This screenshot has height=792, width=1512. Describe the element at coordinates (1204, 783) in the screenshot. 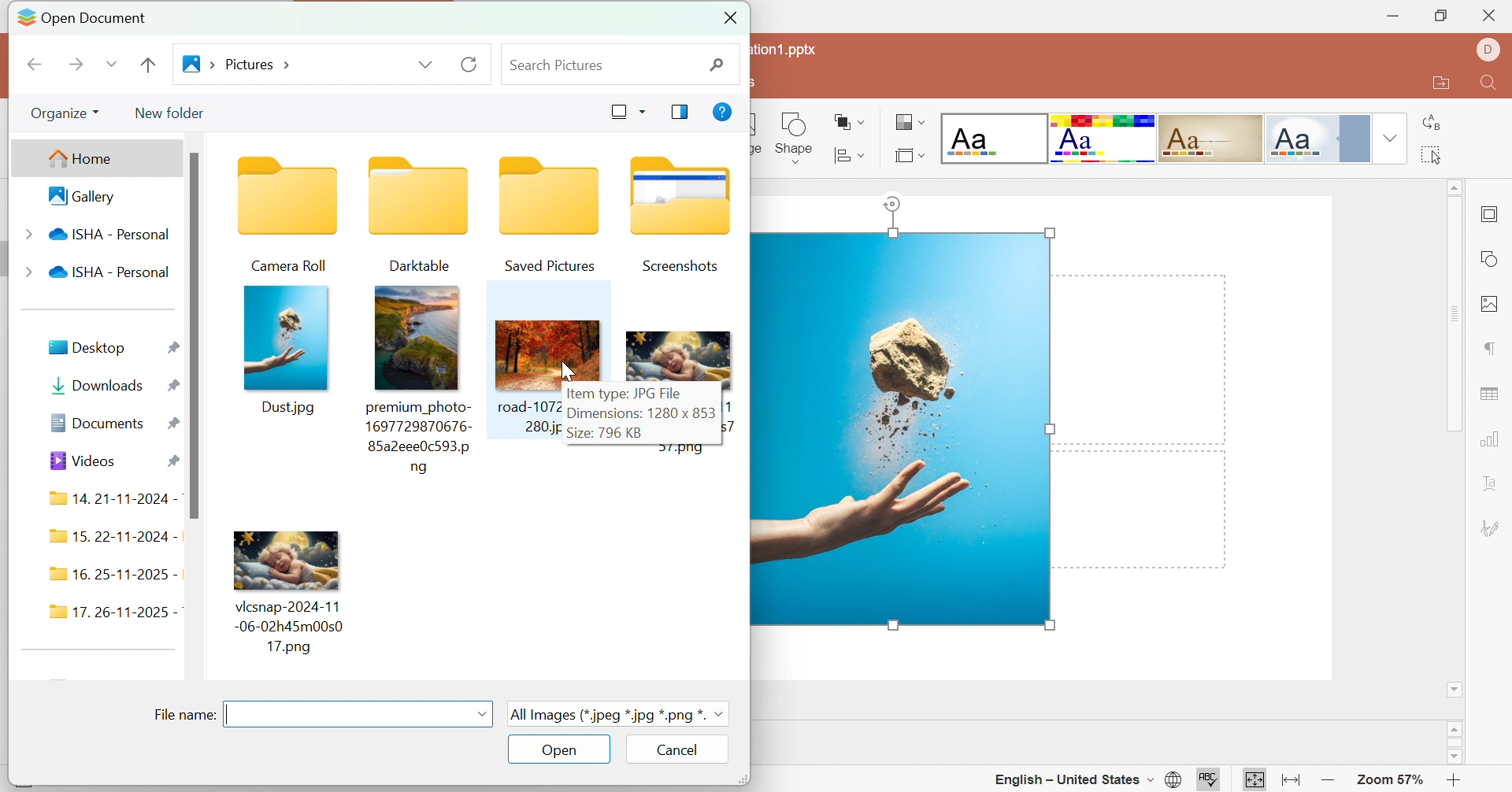

I see `Spell checking` at that location.